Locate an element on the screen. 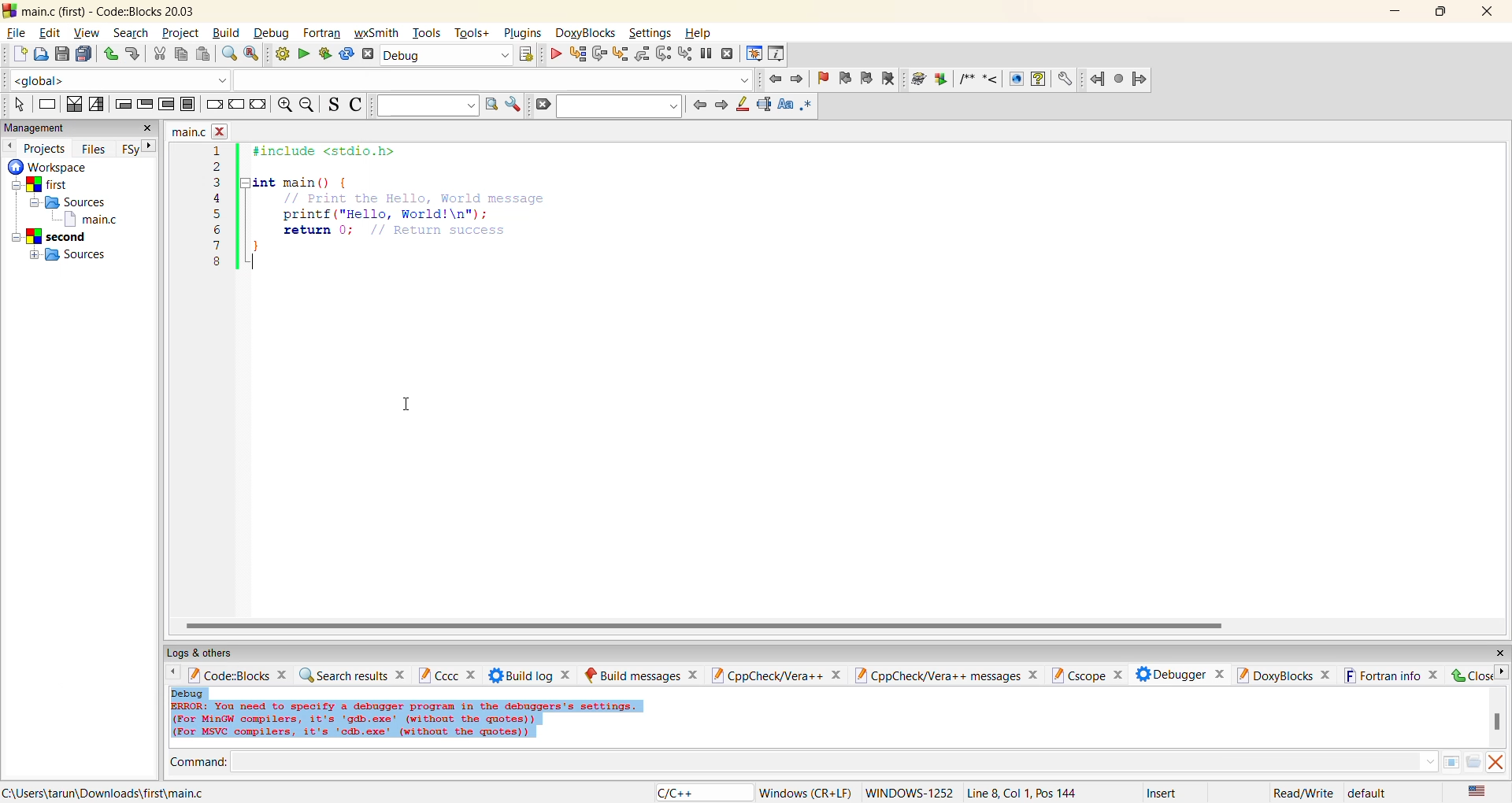 The width and height of the screenshot is (1512, 803). cppcheck/vera++messages is located at coordinates (950, 675).